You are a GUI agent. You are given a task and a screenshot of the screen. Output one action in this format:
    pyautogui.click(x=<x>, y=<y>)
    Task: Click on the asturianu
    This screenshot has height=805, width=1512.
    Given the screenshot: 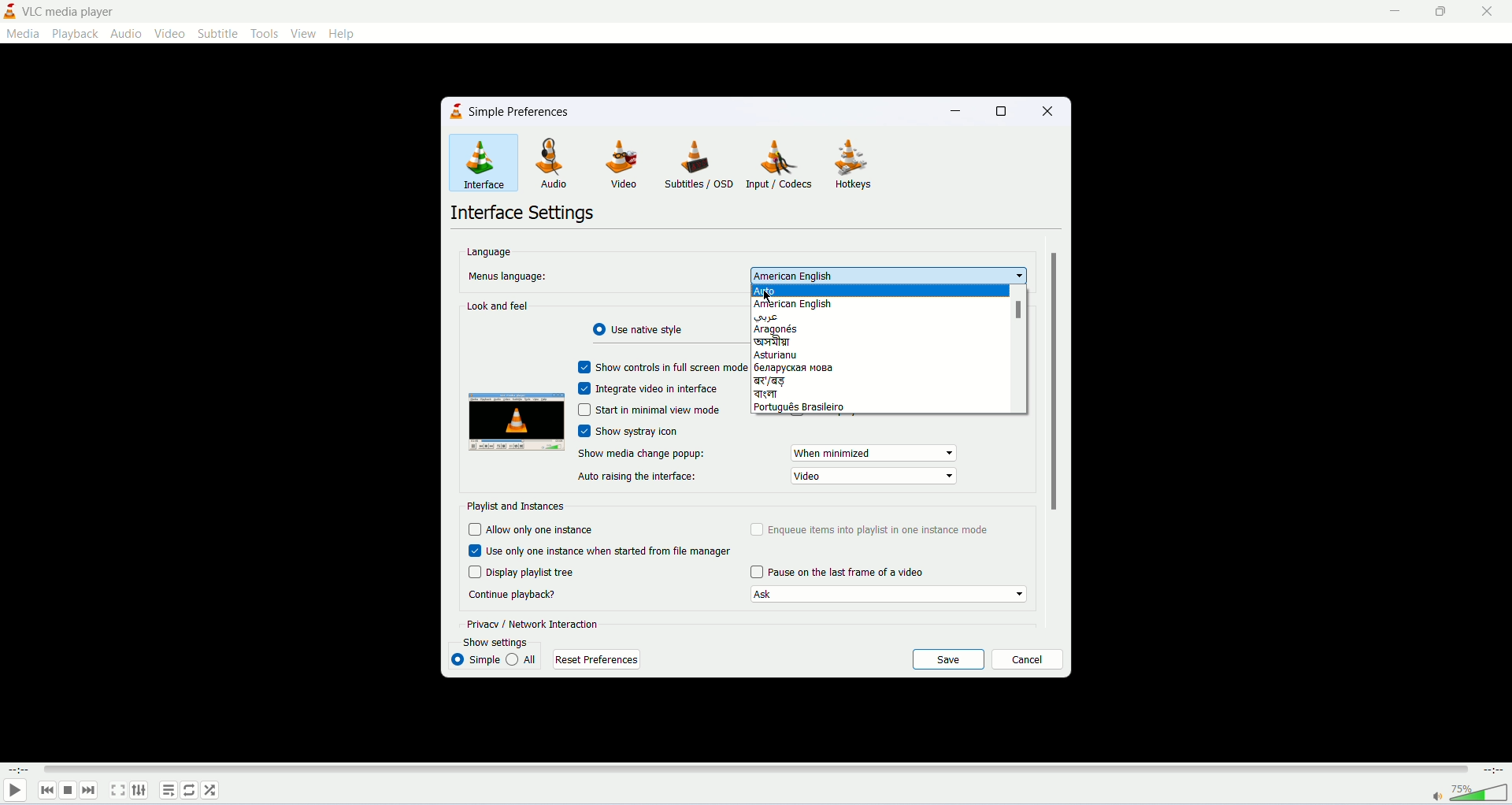 What is the action you would take?
    pyautogui.click(x=882, y=354)
    